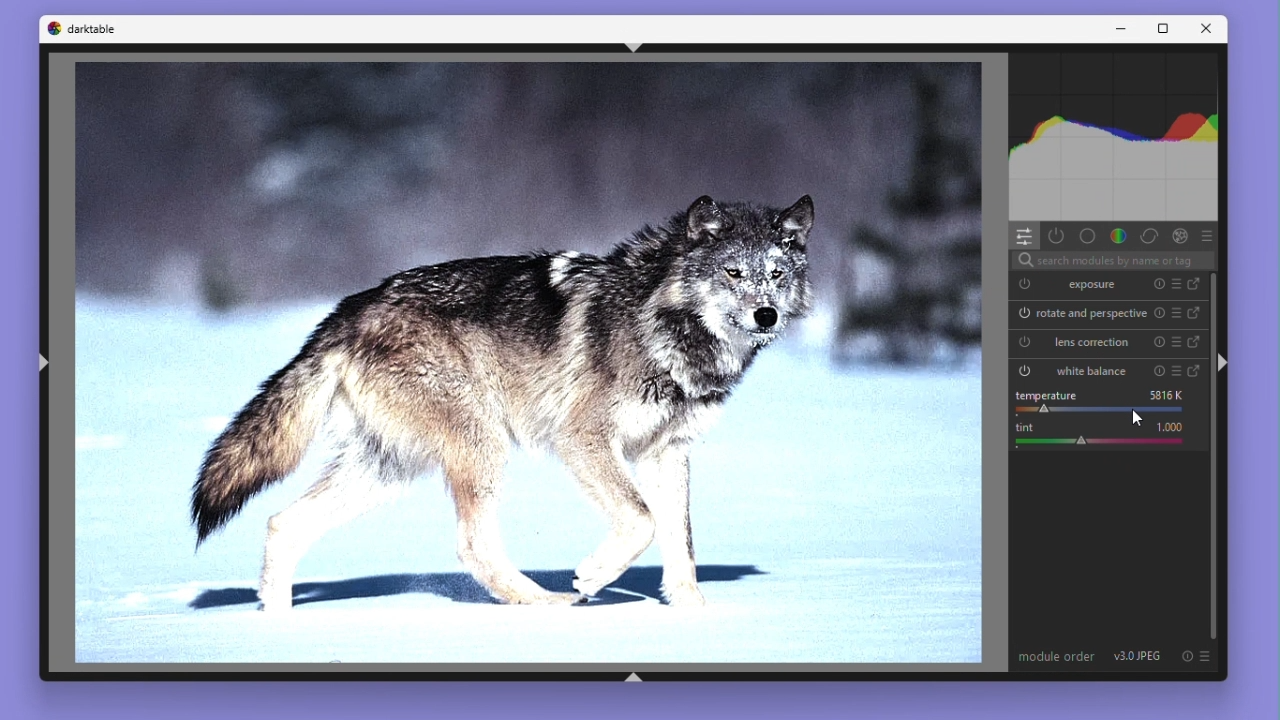 This screenshot has height=720, width=1280. I want to click on Histogram, so click(1114, 135).